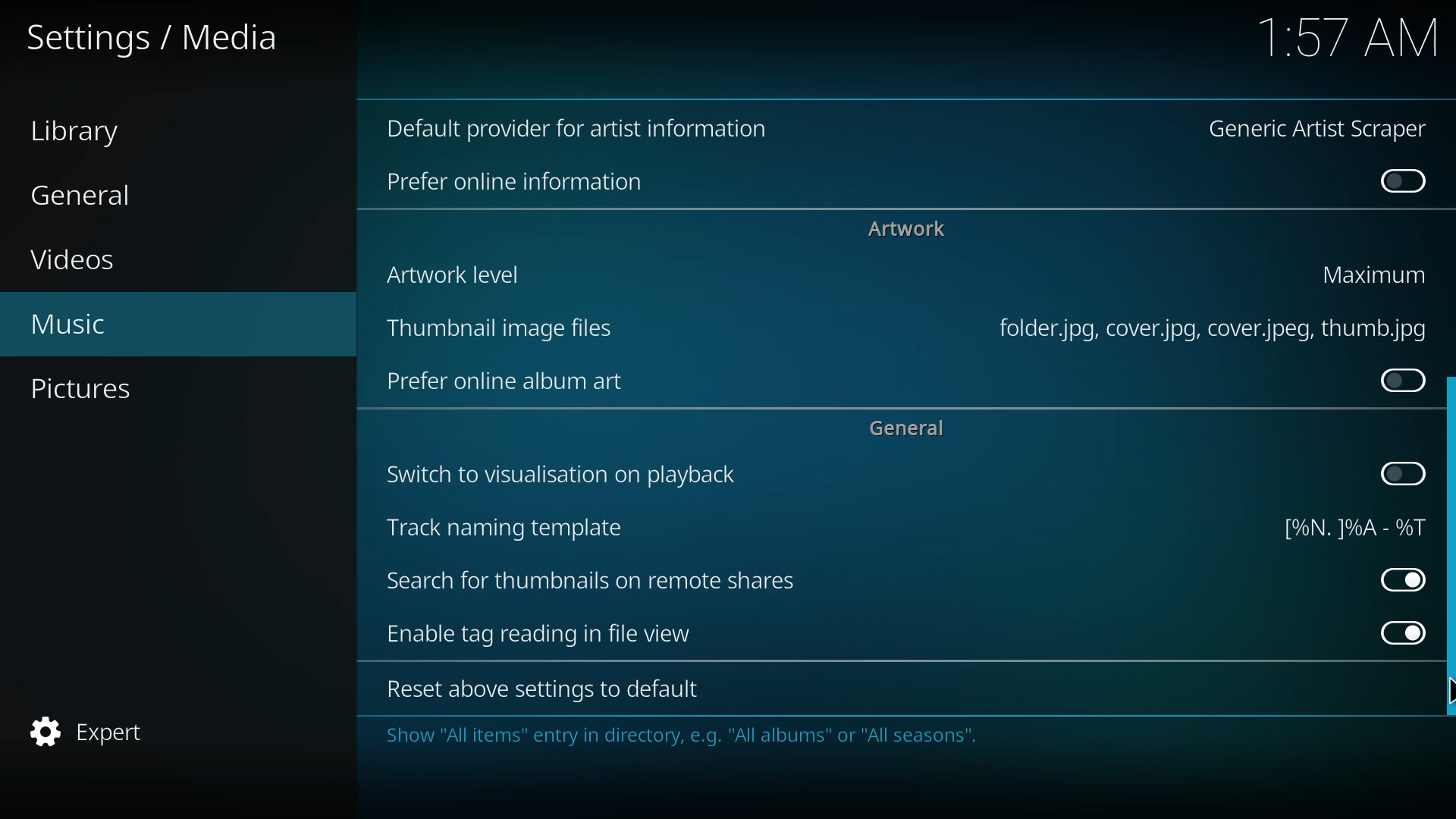 Image resolution: width=1456 pixels, height=819 pixels. I want to click on track naming template, so click(507, 529).